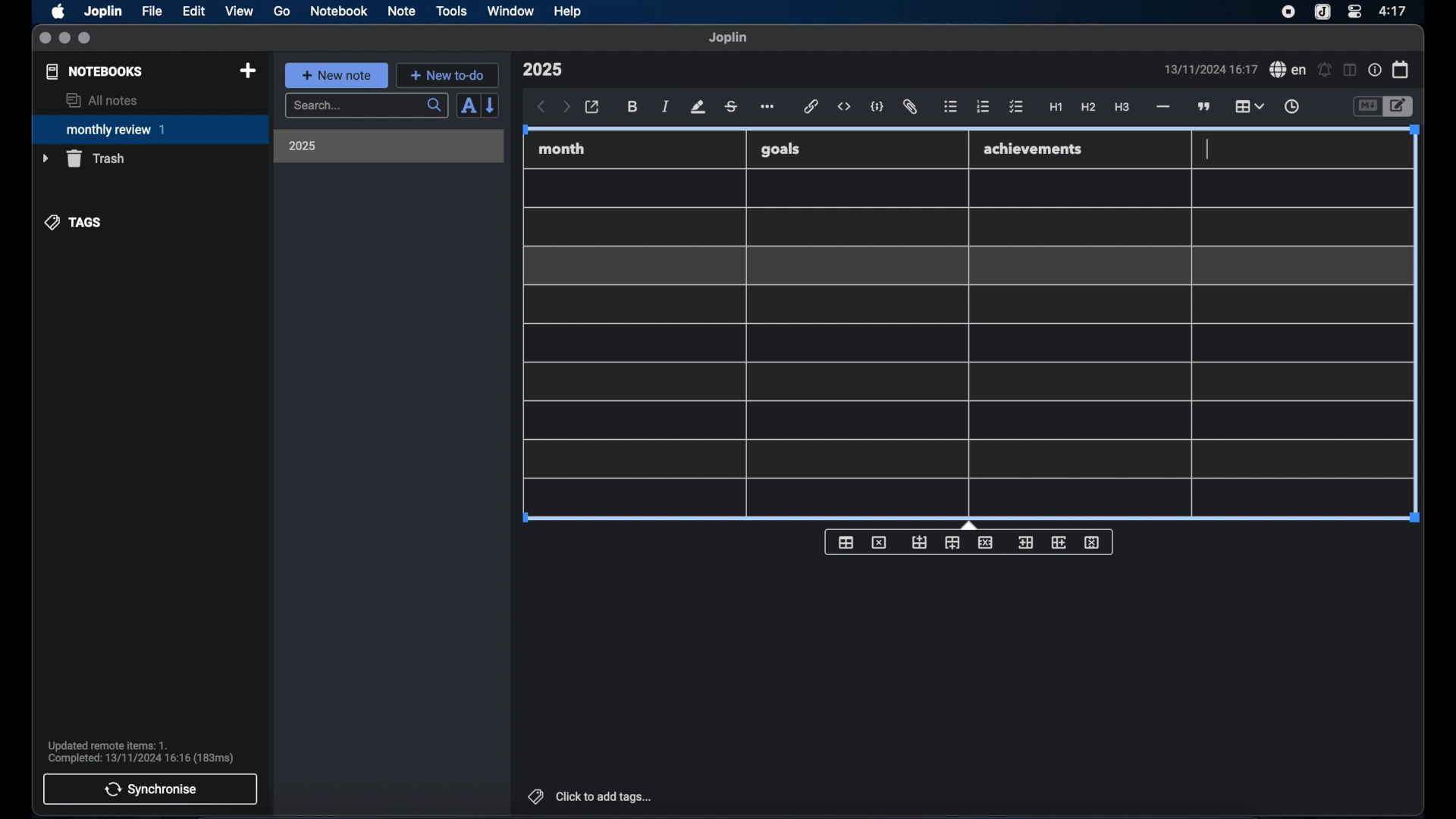 Image resolution: width=1456 pixels, height=819 pixels. Describe the element at coordinates (780, 149) in the screenshot. I see `goals` at that location.